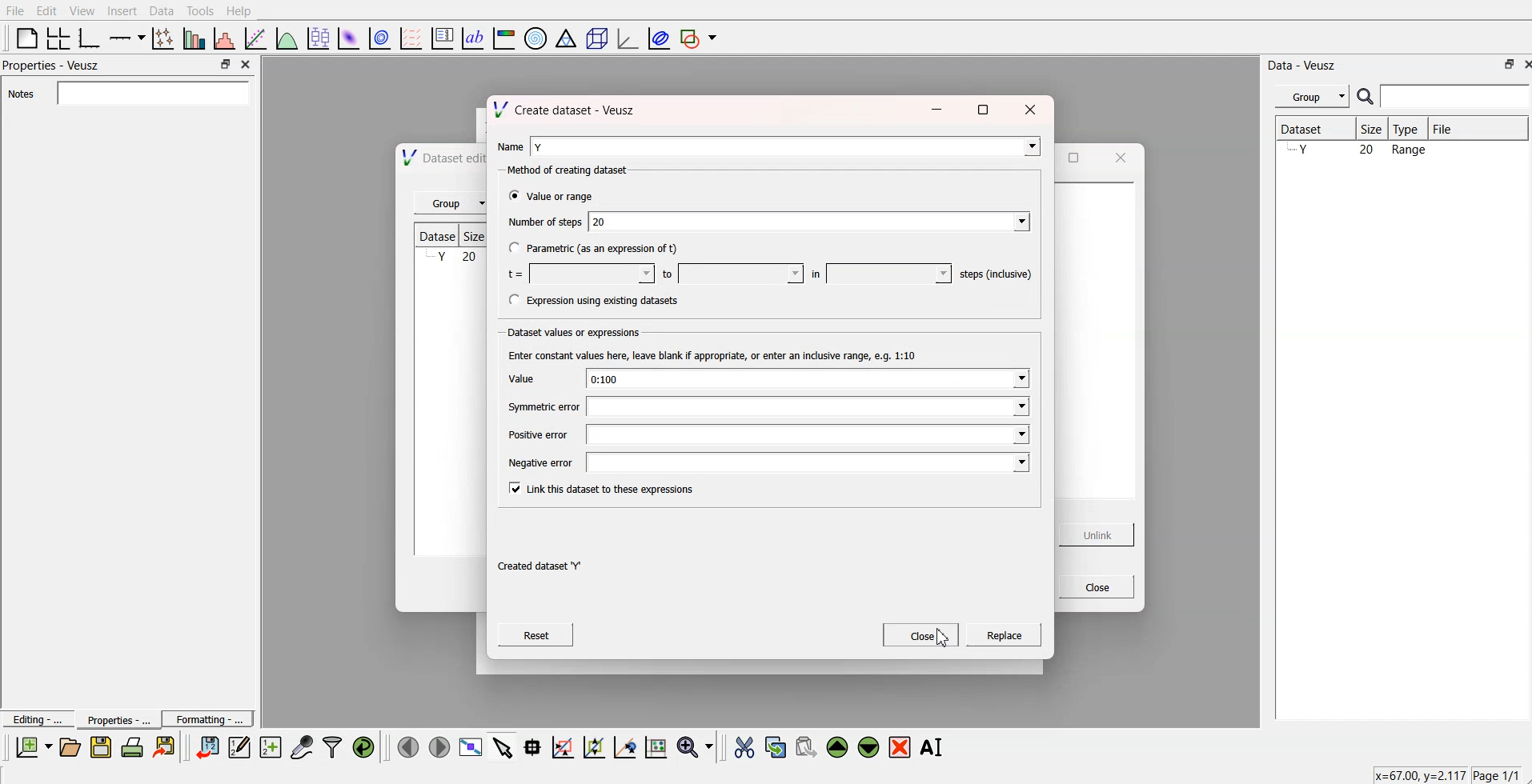 The width and height of the screenshot is (1532, 784). What do you see at coordinates (596, 37) in the screenshot?
I see `3D scene` at bounding box center [596, 37].